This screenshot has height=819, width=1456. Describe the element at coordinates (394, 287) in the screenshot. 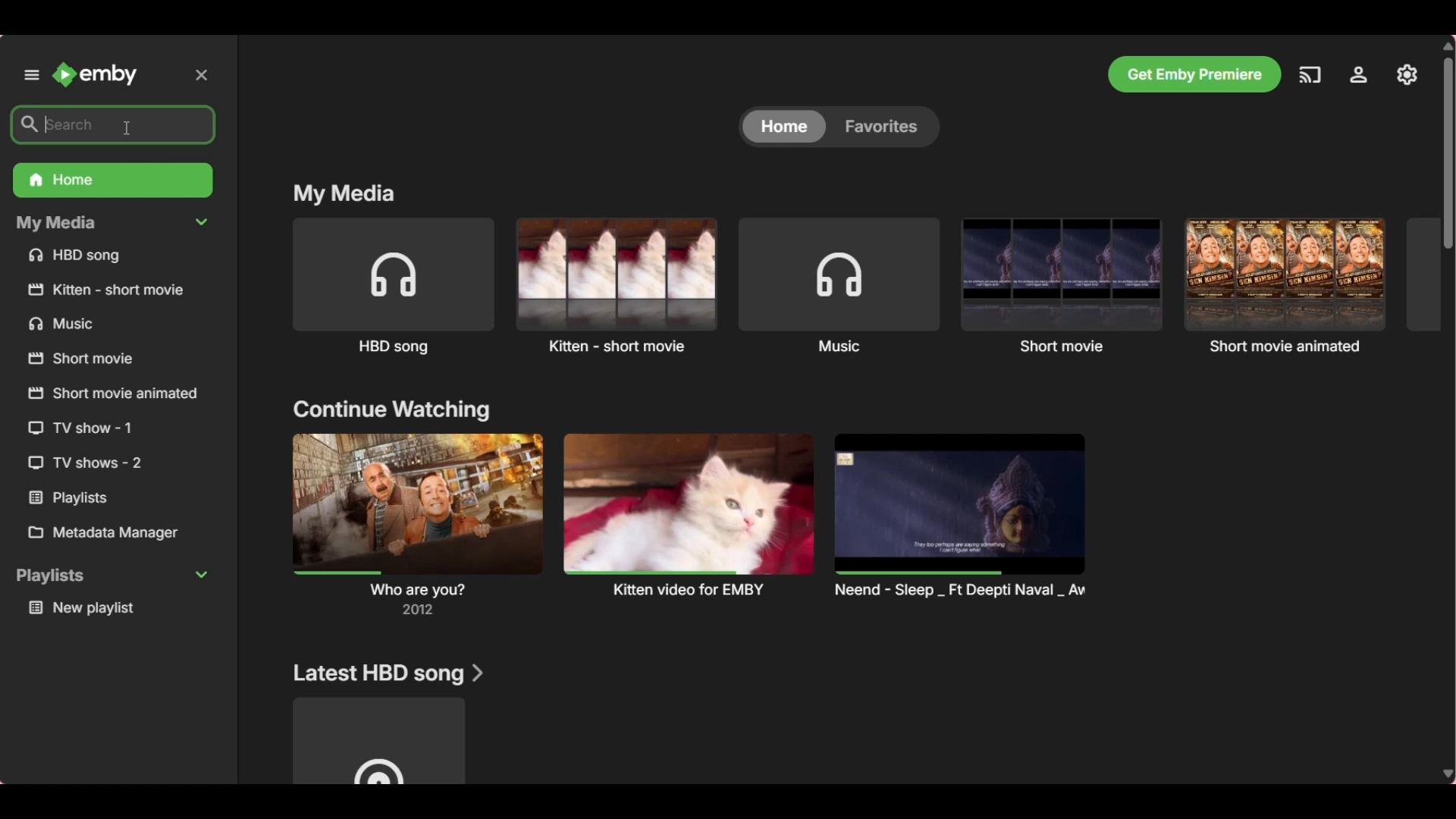

I see `HBD song` at that location.